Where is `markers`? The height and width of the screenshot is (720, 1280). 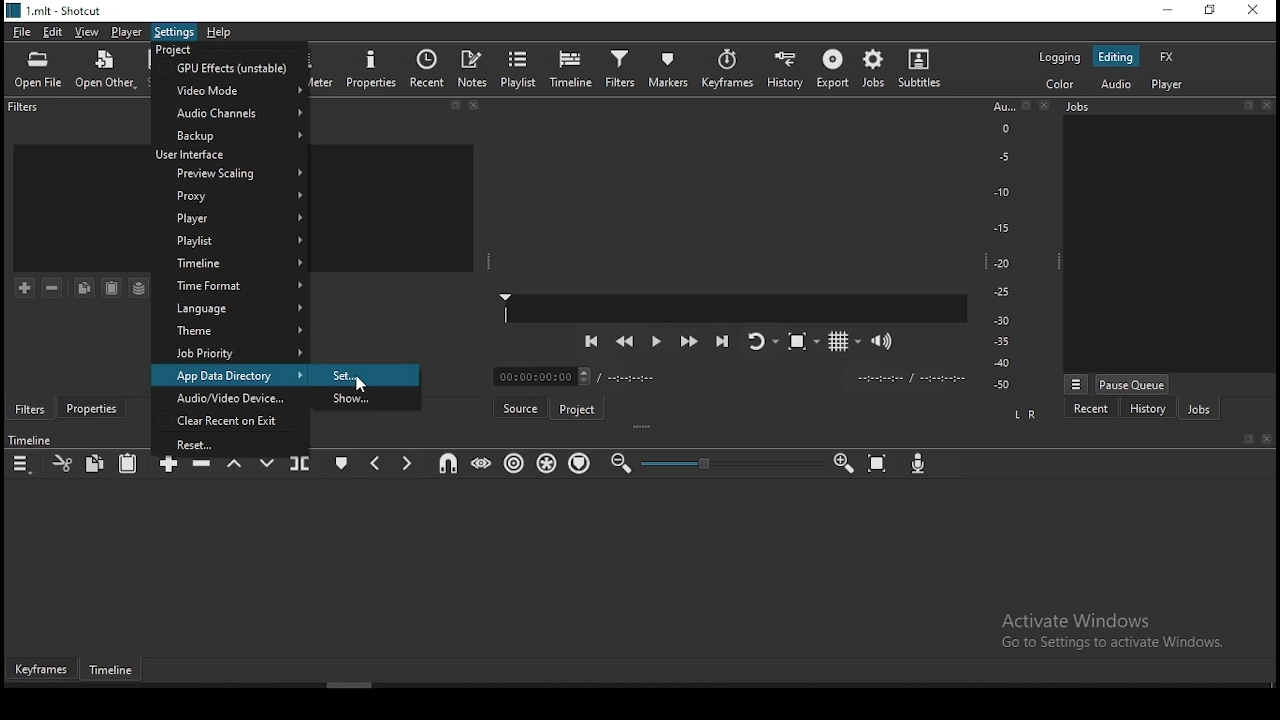 markers is located at coordinates (671, 69).